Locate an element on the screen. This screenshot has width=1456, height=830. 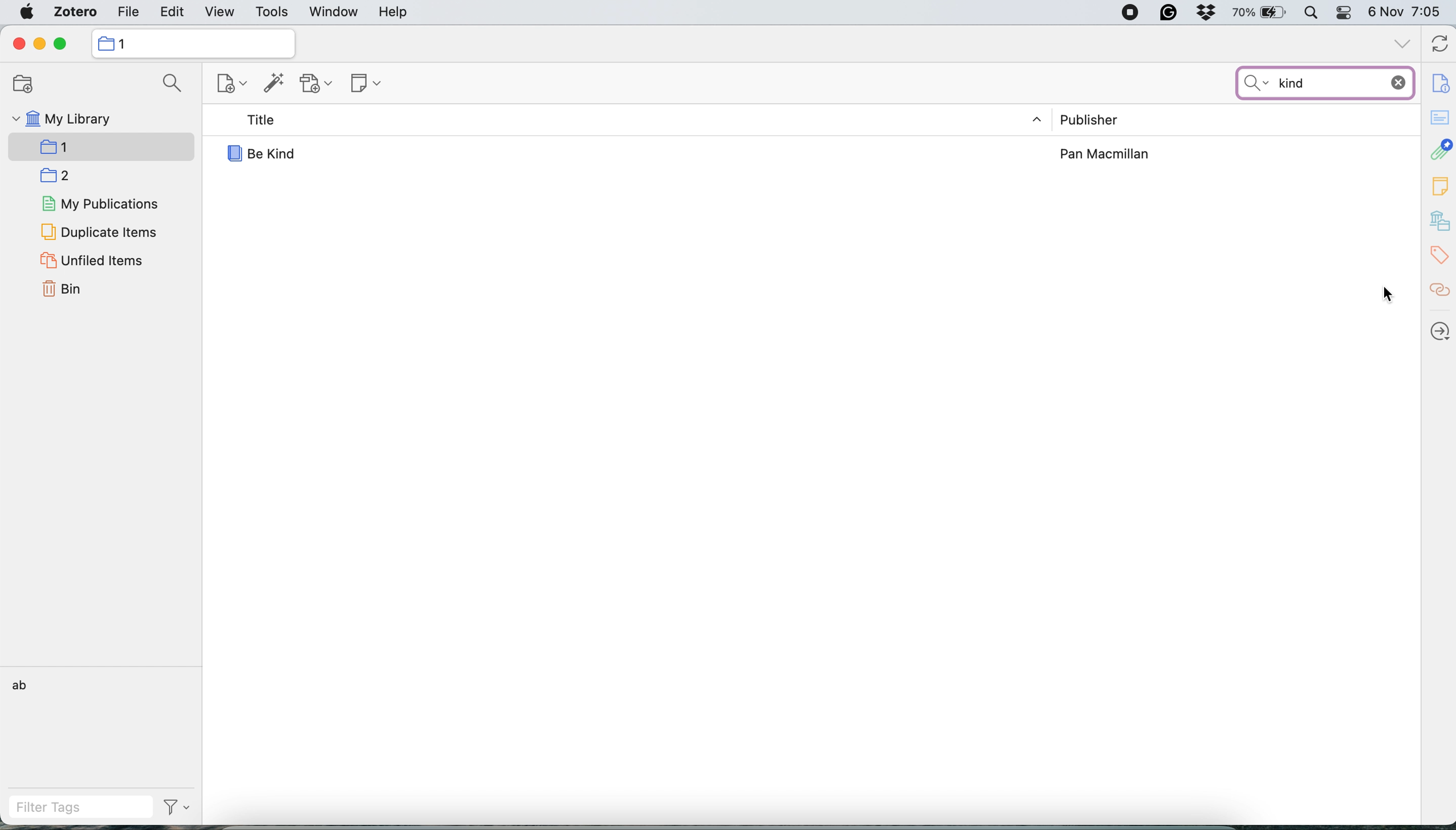
close is located at coordinates (19, 44).